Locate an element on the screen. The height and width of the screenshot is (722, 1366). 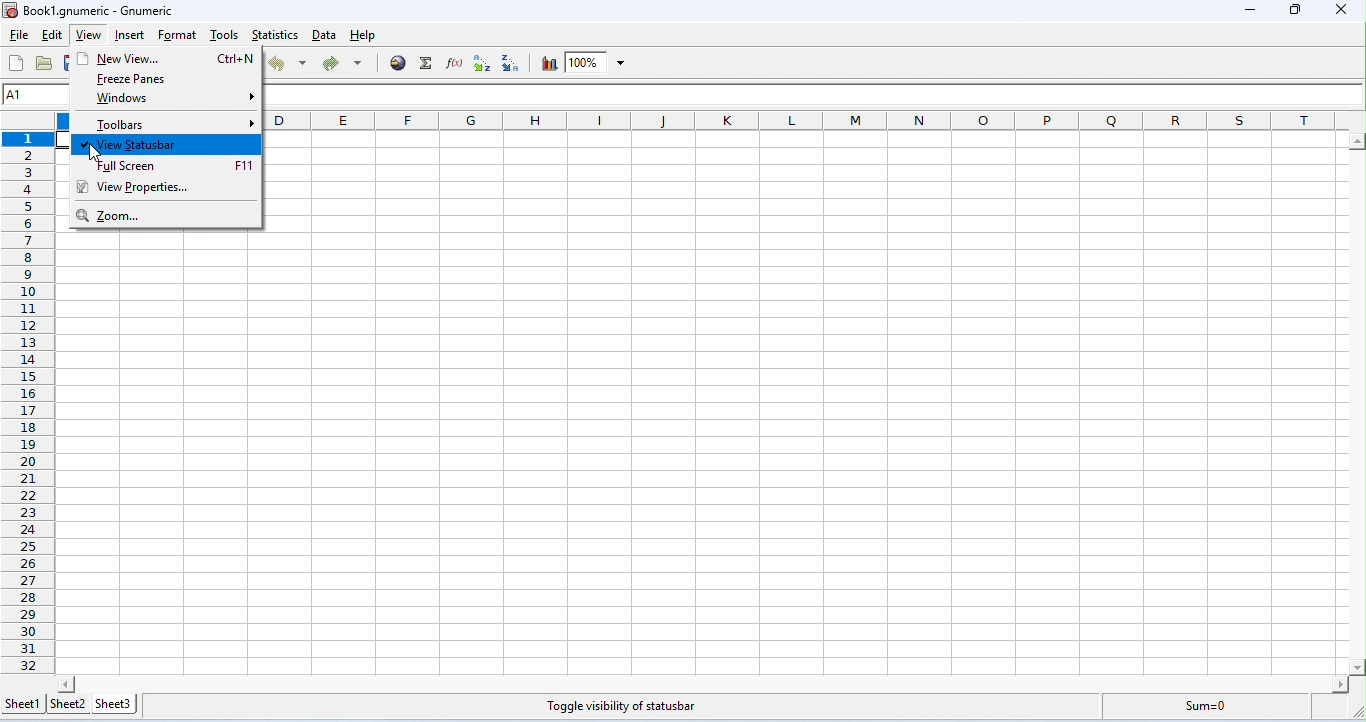
view properties is located at coordinates (149, 186).